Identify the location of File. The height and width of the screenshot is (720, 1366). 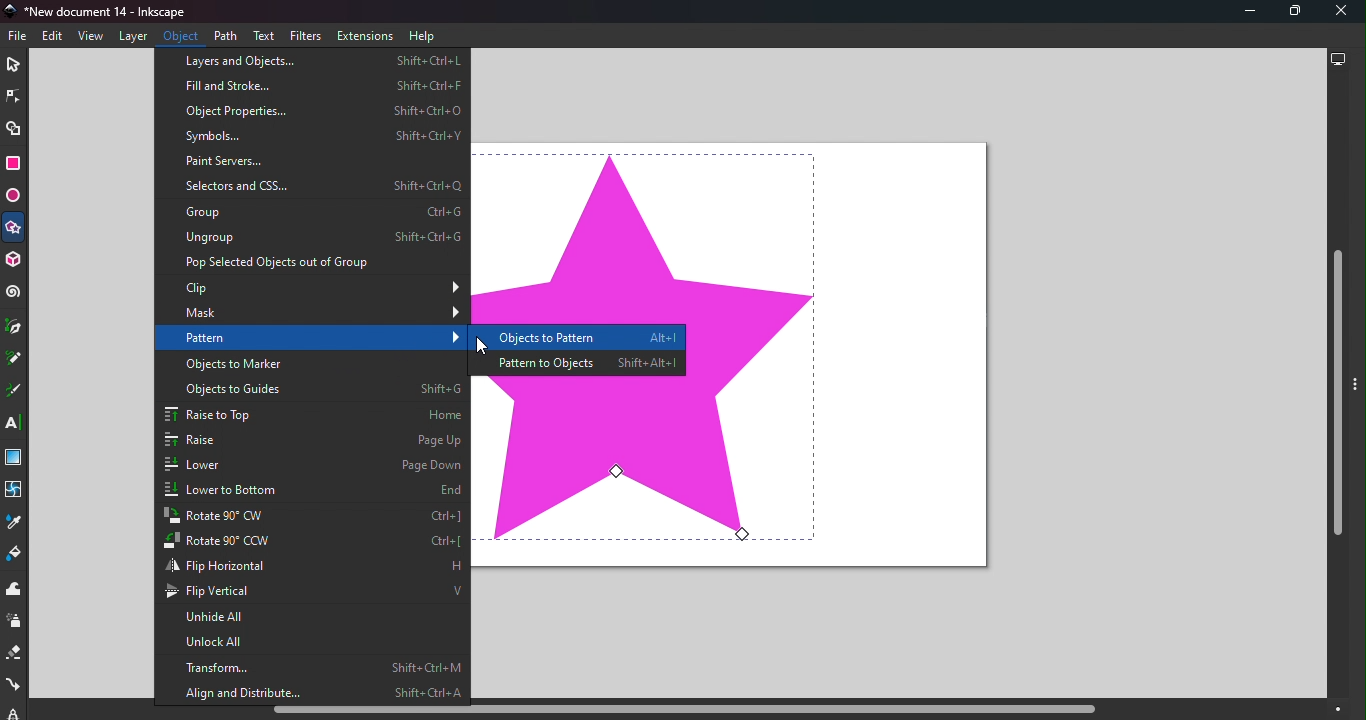
(21, 36).